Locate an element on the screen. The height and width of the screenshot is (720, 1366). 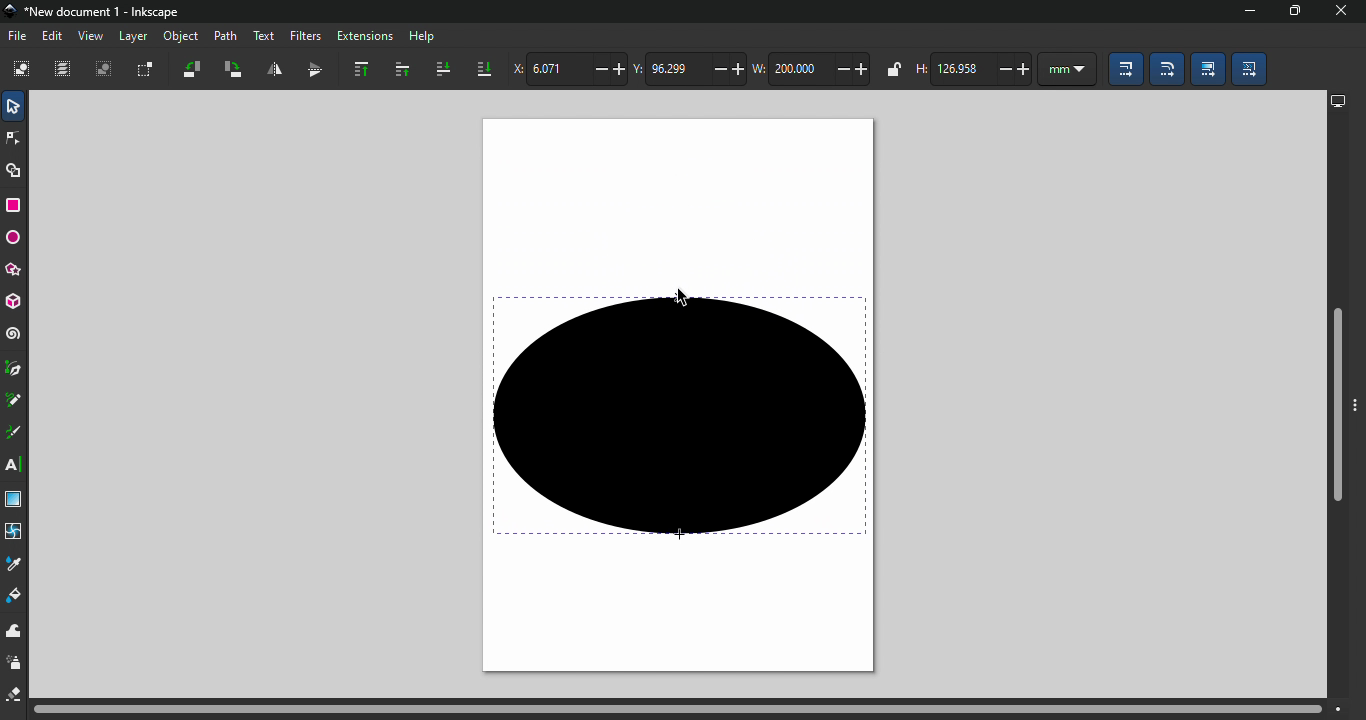
Path is located at coordinates (225, 37).